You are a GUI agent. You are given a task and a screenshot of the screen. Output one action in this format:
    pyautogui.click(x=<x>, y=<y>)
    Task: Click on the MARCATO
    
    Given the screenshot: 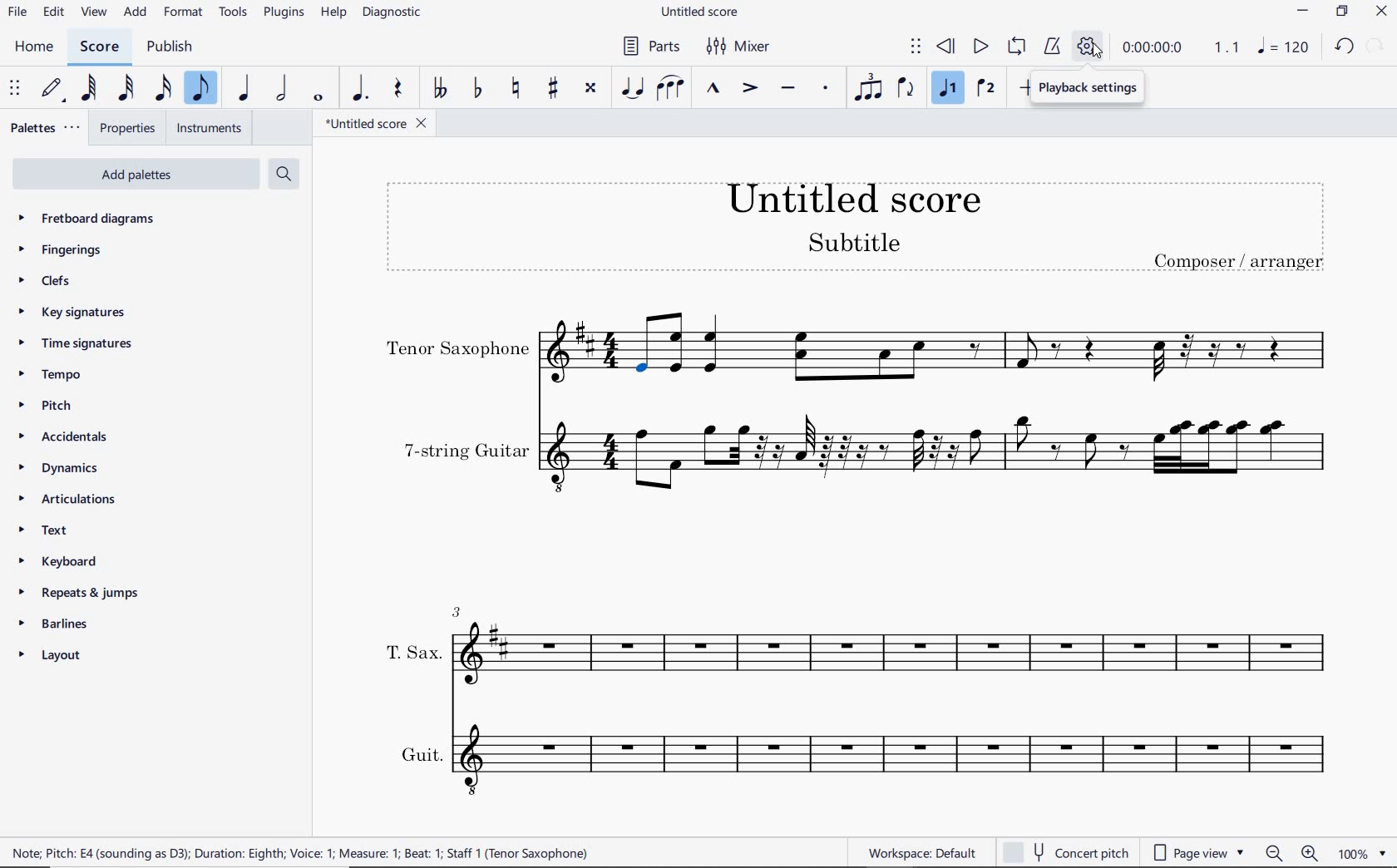 What is the action you would take?
    pyautogui.click(x=713, y=89)
    